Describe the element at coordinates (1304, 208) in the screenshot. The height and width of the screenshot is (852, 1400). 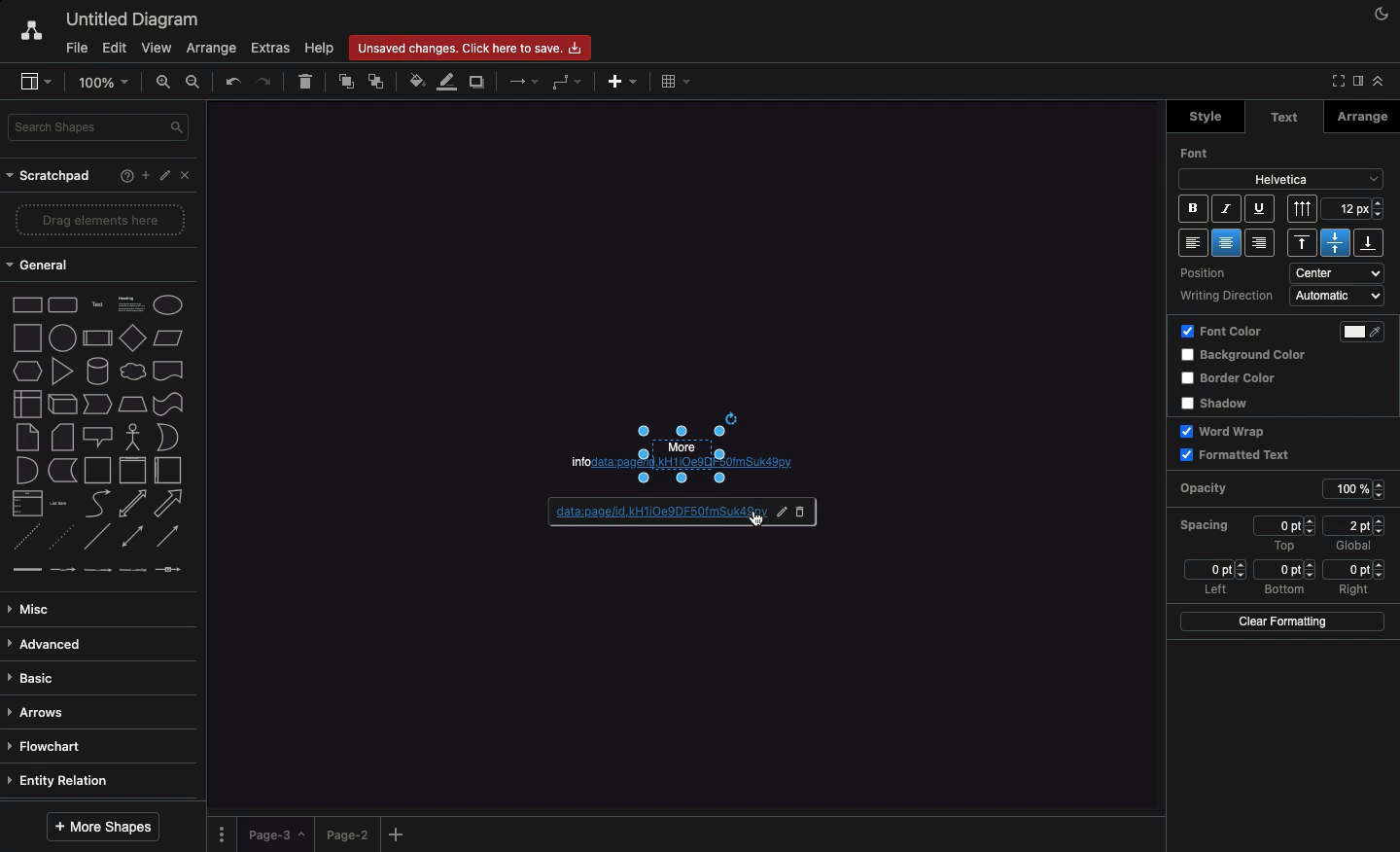
I see `Vertical` at that location.